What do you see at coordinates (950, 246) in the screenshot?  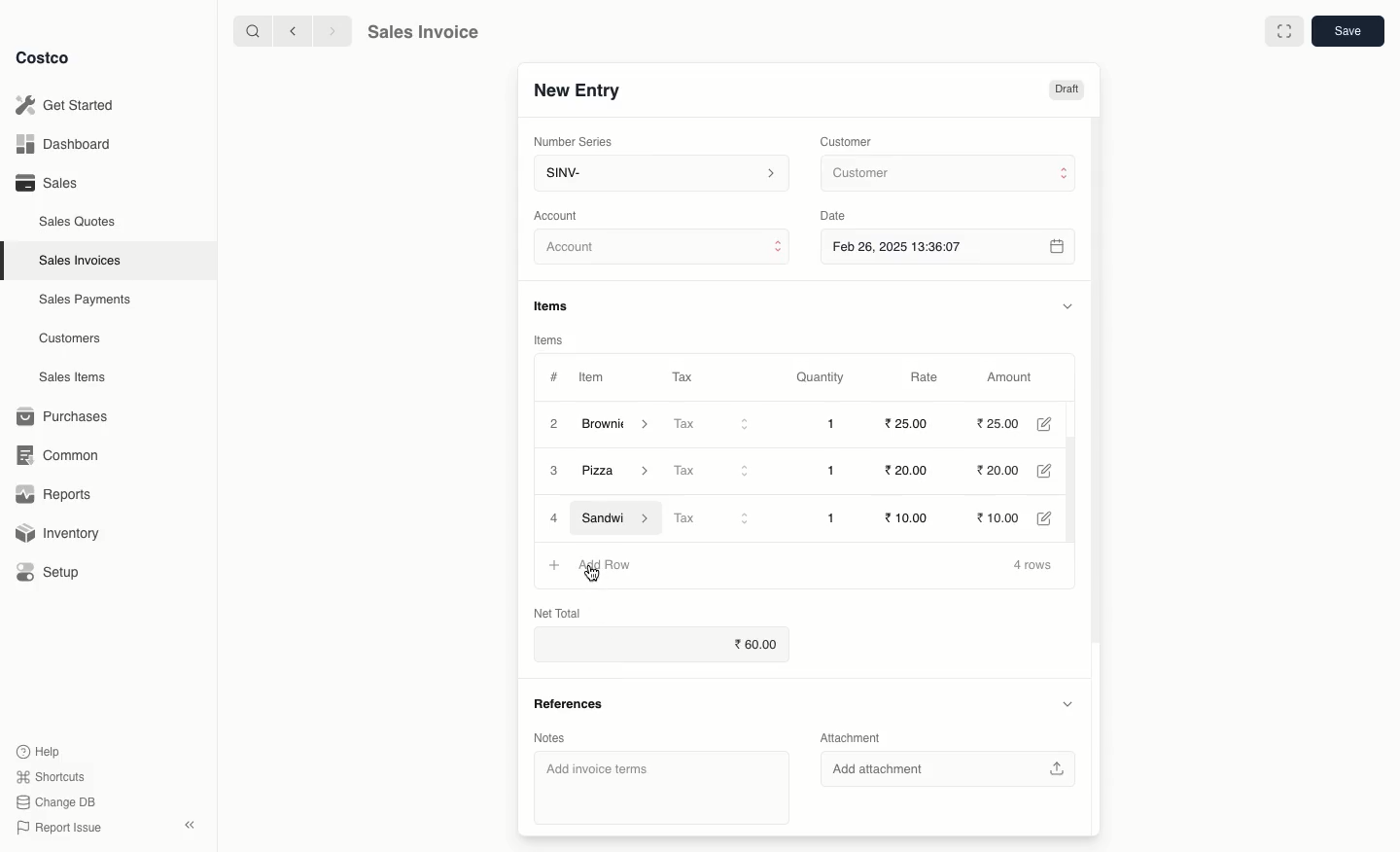 I see `Feb 26, 2025 13:36:07` at bounding box center [950, 246].